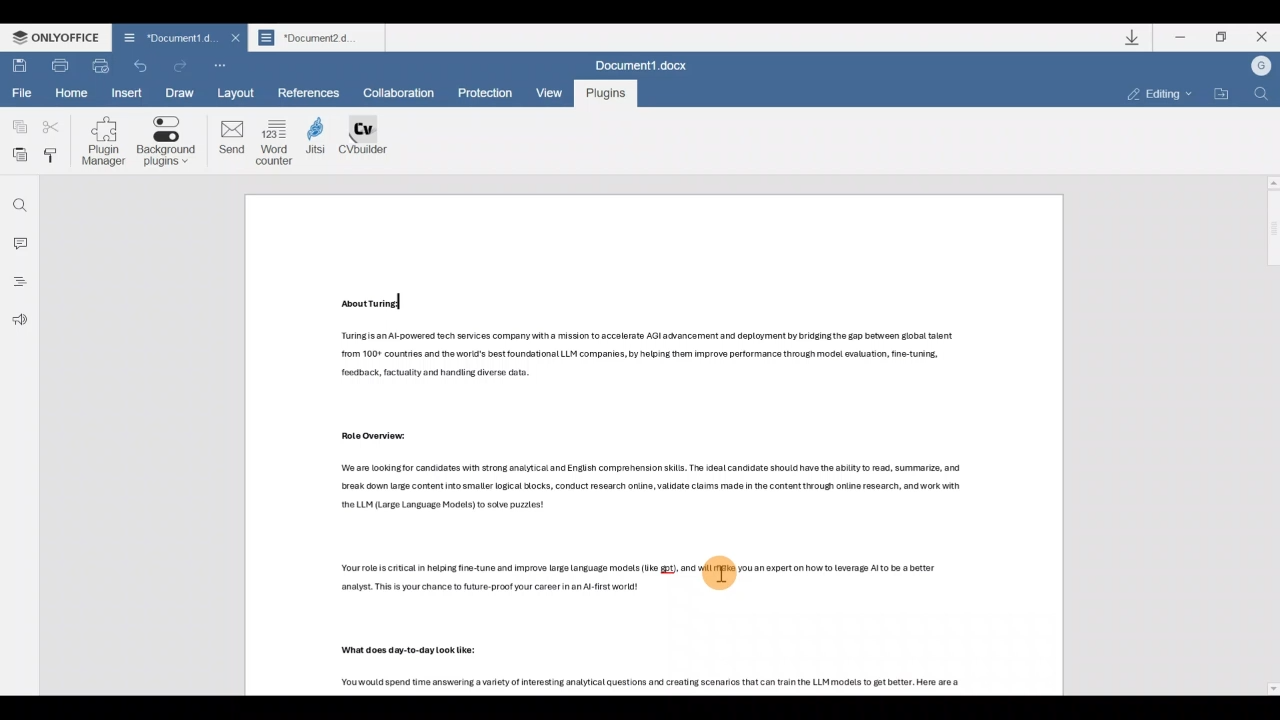 This screenshot has width=1280, height=720. What do you see at coordinates (396, 91) in the screenshot?
I see `Collaboration` at bounding box center [396, 91].